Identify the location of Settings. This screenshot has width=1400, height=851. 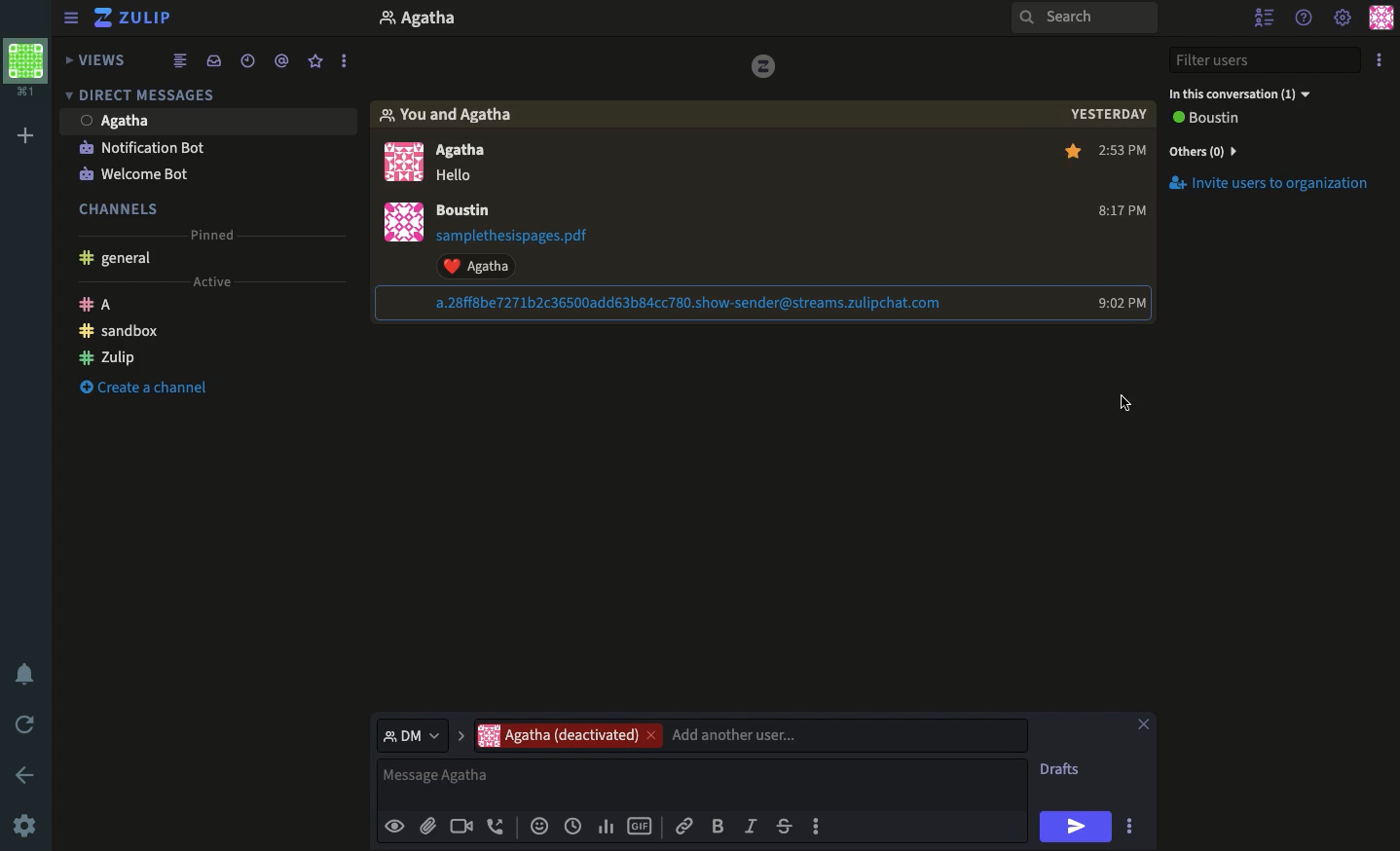
(26, 827).